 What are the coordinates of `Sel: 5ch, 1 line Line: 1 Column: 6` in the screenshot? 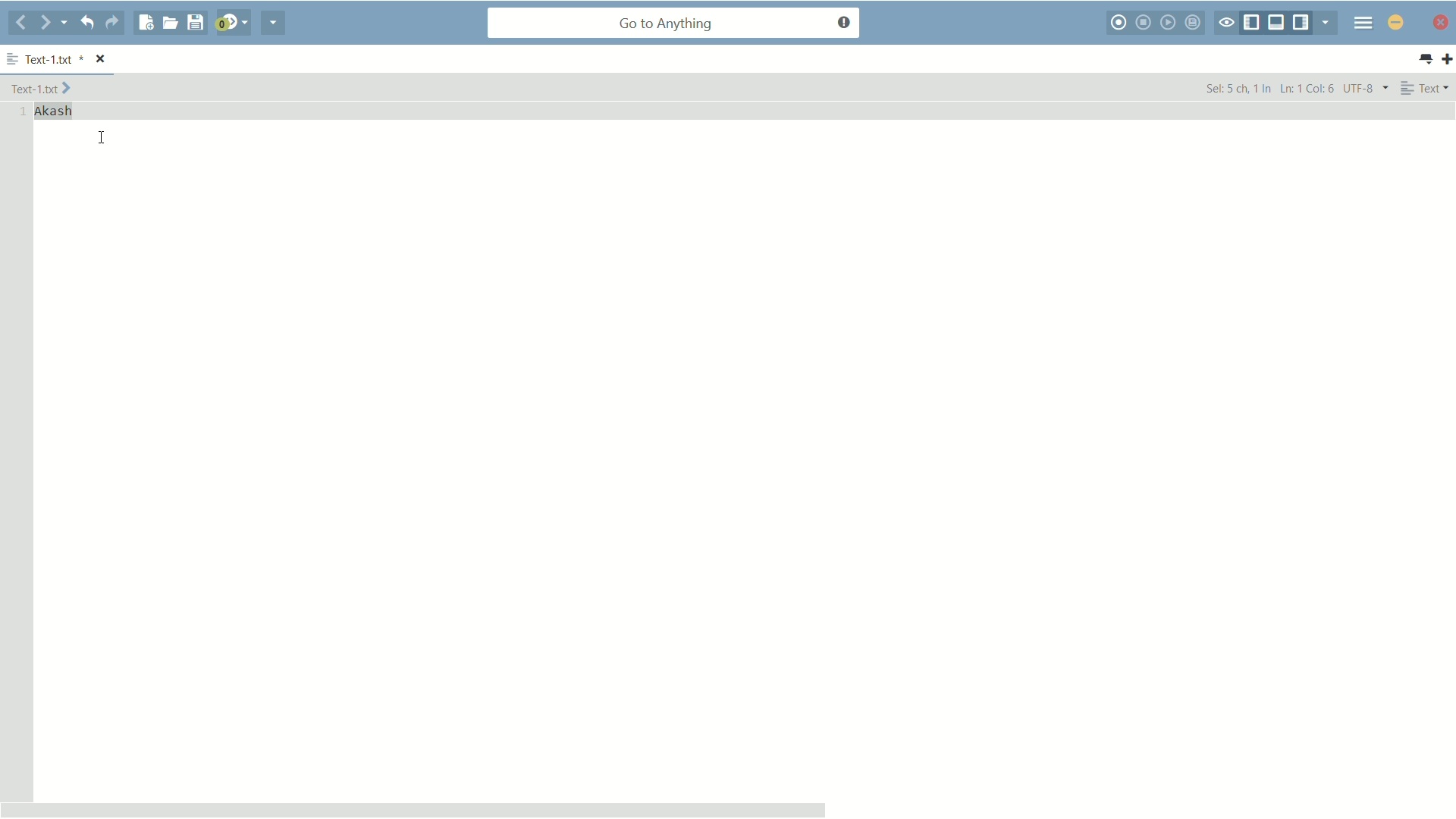 It's located at (1269, 87).